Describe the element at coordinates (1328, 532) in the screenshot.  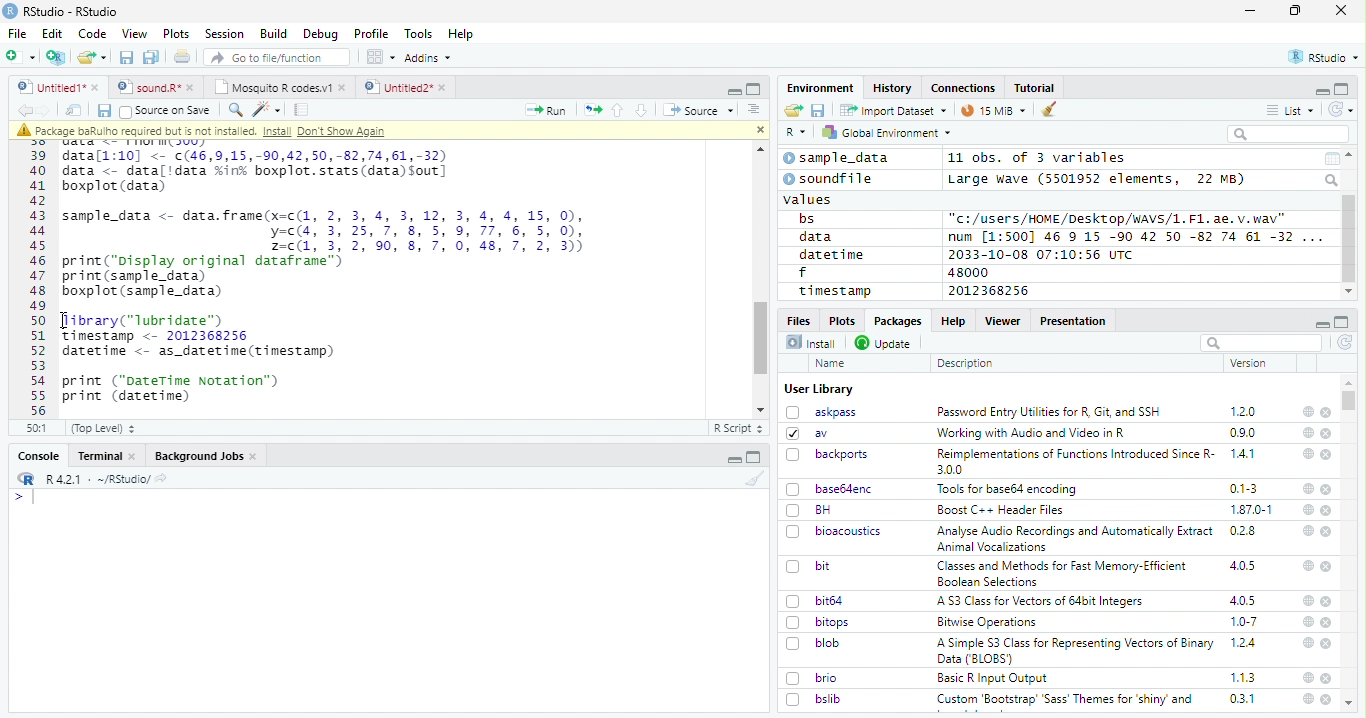
I see `close` at that location.